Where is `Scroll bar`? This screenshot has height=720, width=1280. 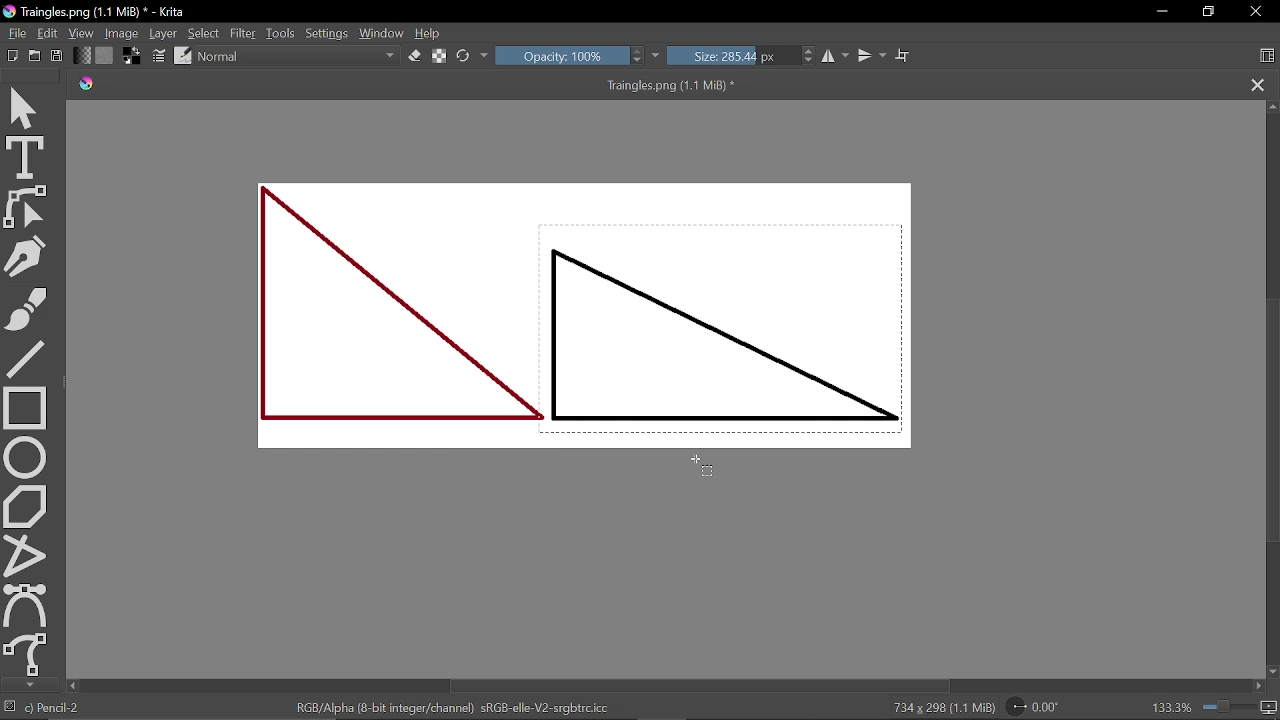 Scroll bar is located at coordinates (1270, 388).